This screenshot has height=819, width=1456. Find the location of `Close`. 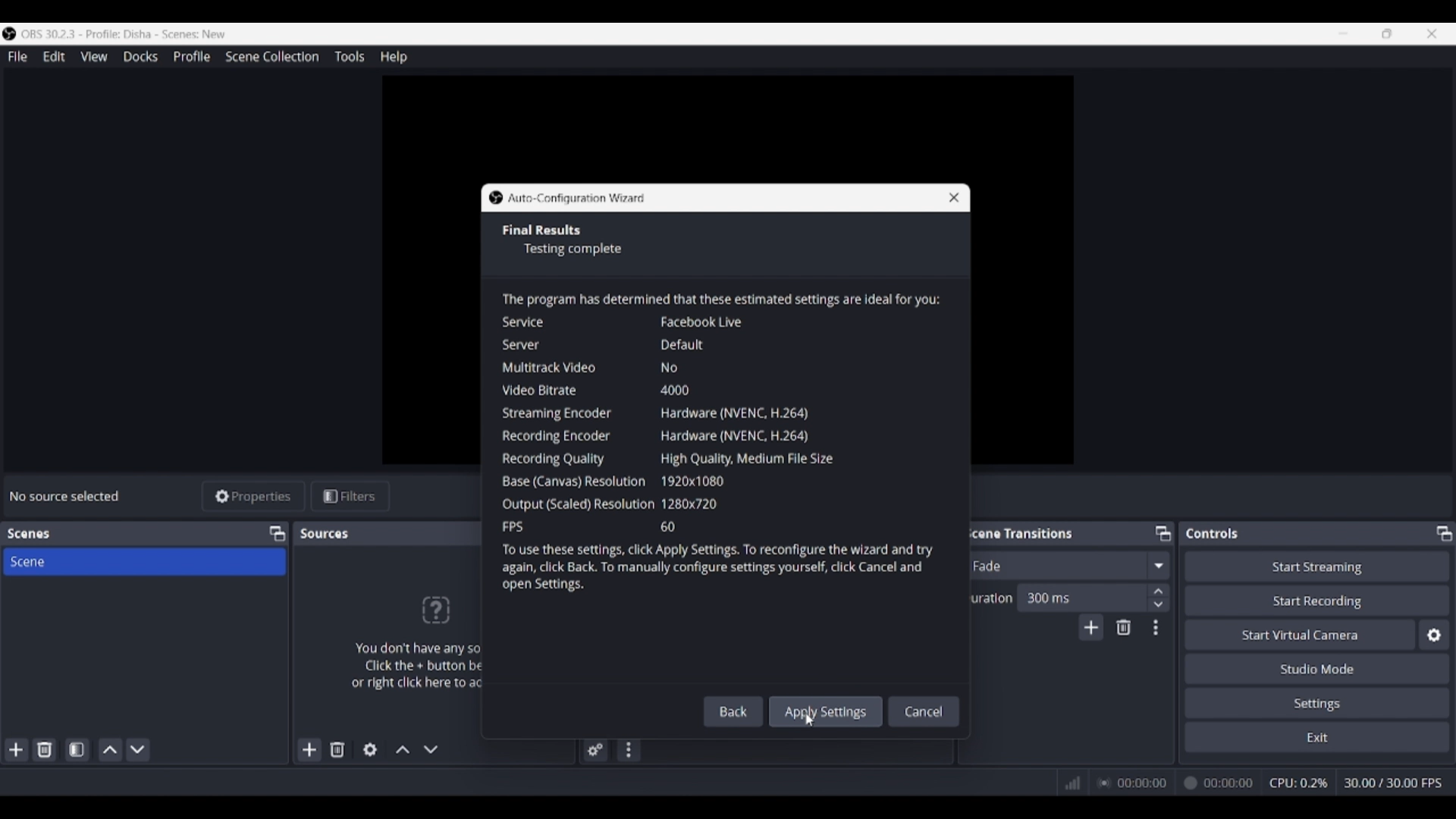

Close is located at coordinates (948, 196).